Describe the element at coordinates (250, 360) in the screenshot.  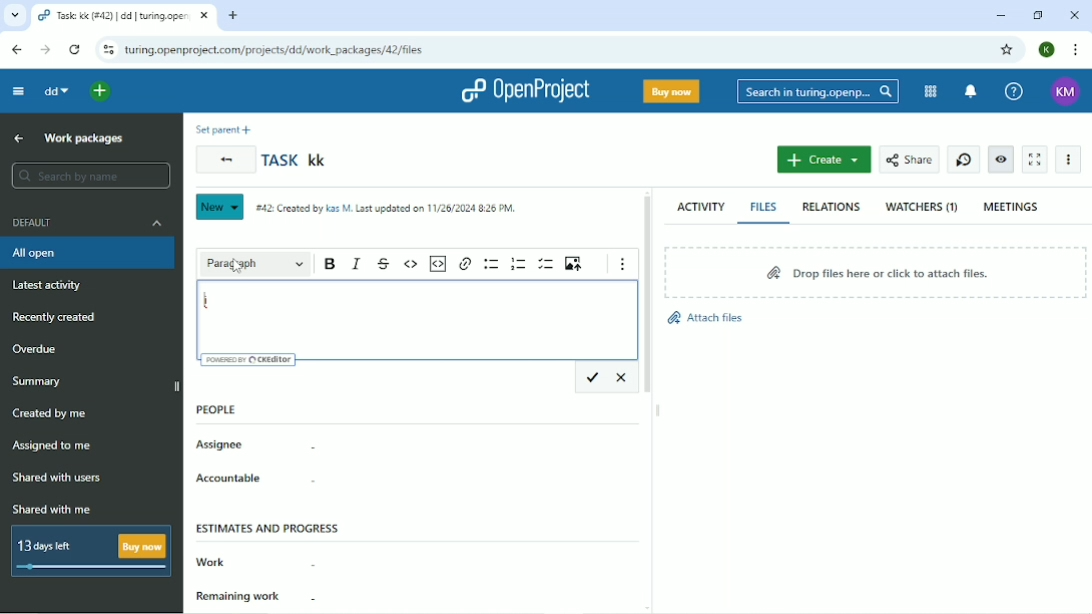
I see `Powered by CKEditor` at that location.